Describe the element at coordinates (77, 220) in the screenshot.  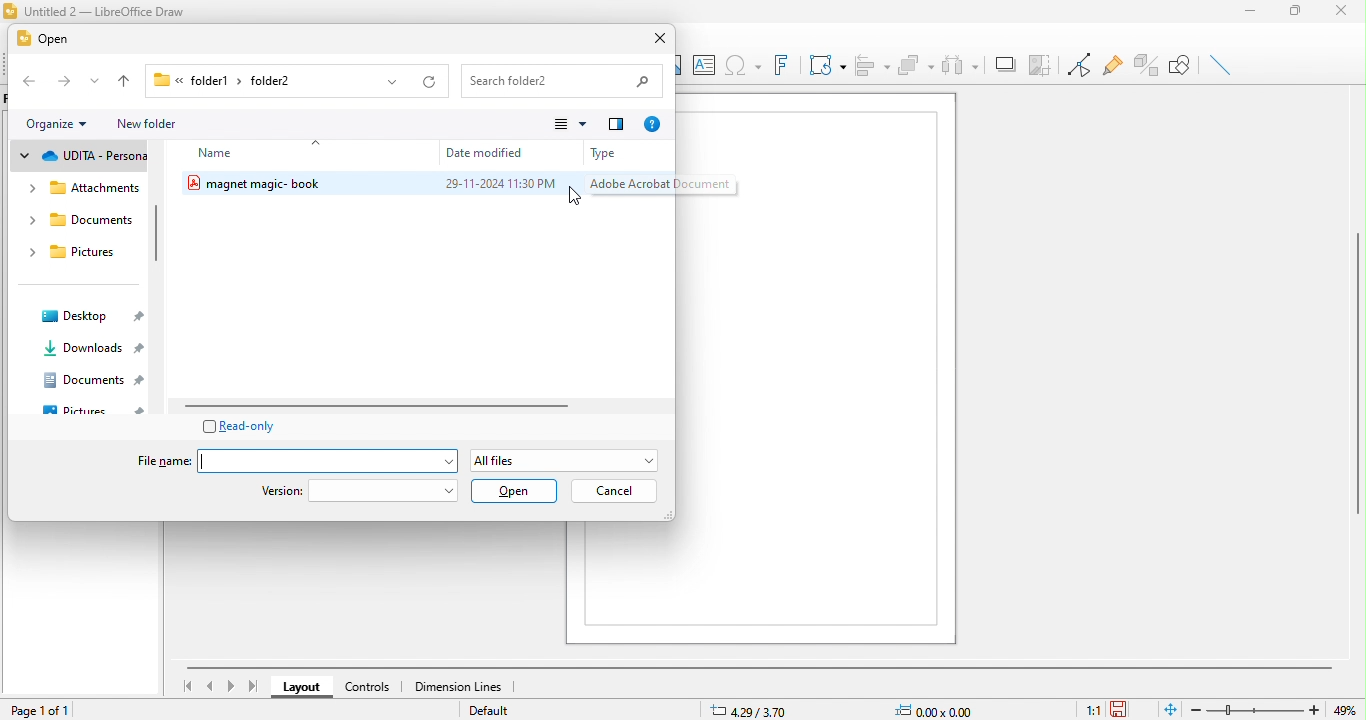
I see `documents` at that location.